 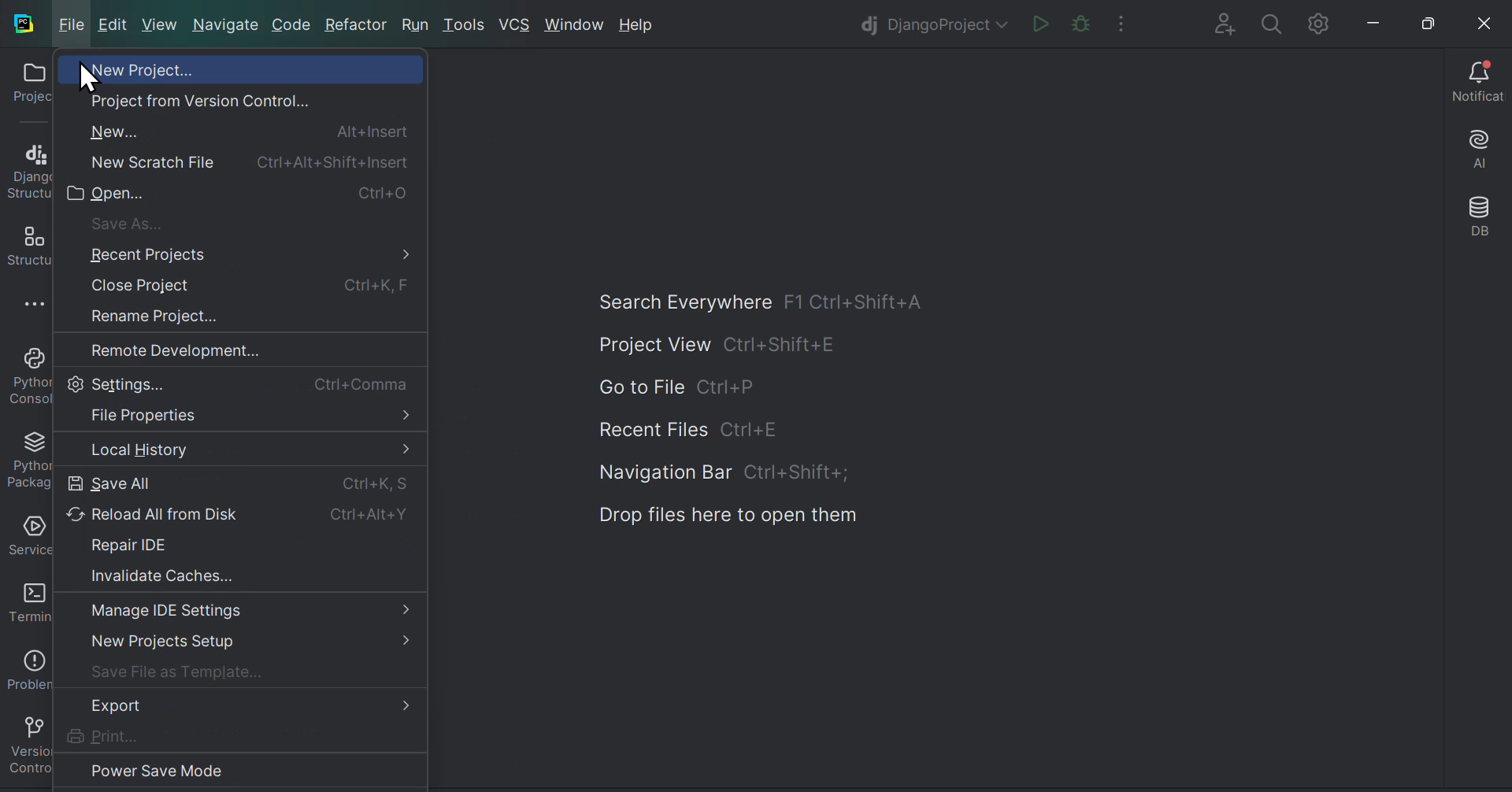 What do you see at coordinates (186, 350) in the screenshot?
I see `Remote development` at bounding box center [186, 350].